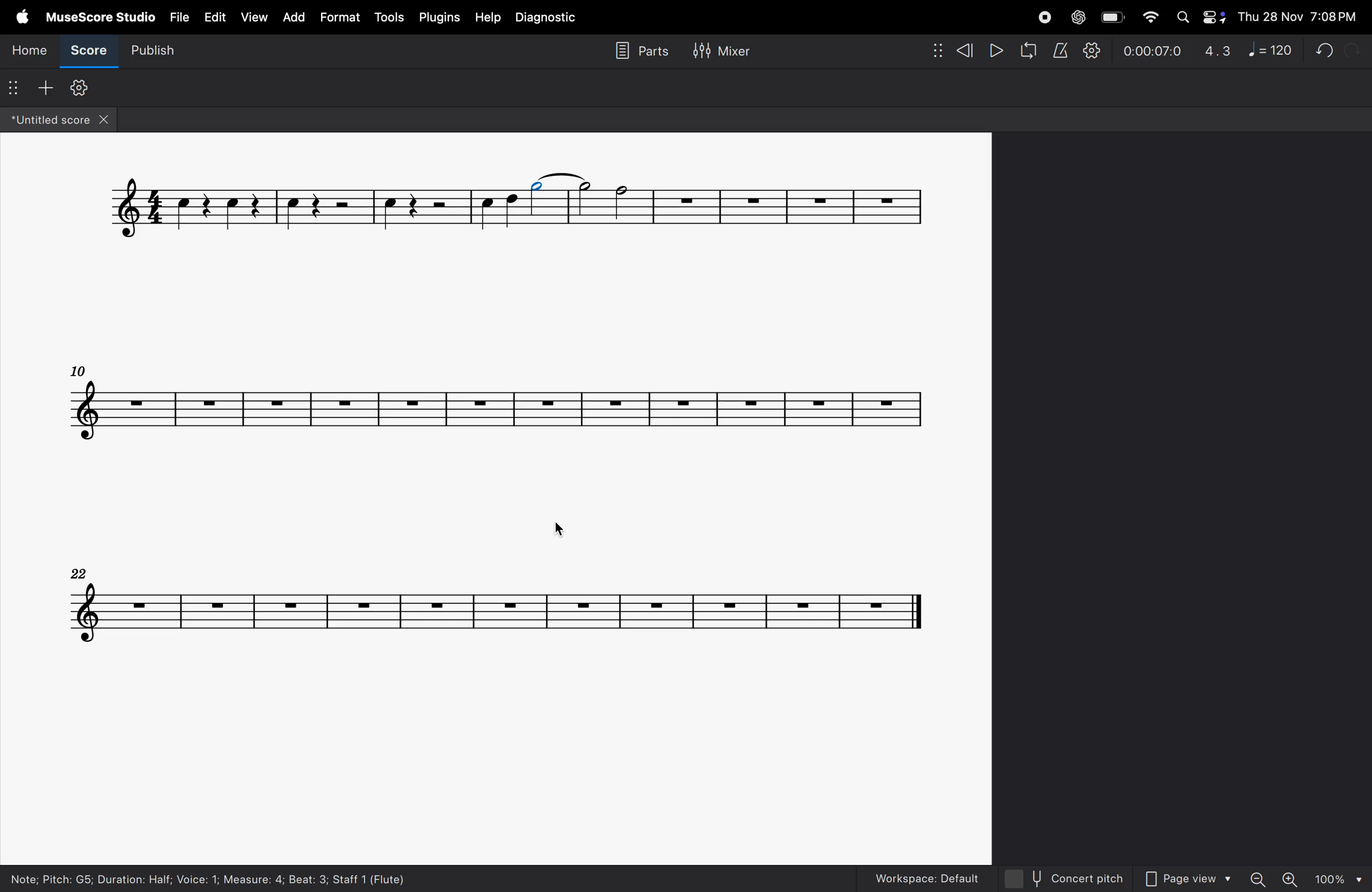 Image resolution: width=1372 pixels, height=892 pixels. What do you see at coordinates (254, 16) in the screenshot?
I see `view` at bounding box center [254, 16].